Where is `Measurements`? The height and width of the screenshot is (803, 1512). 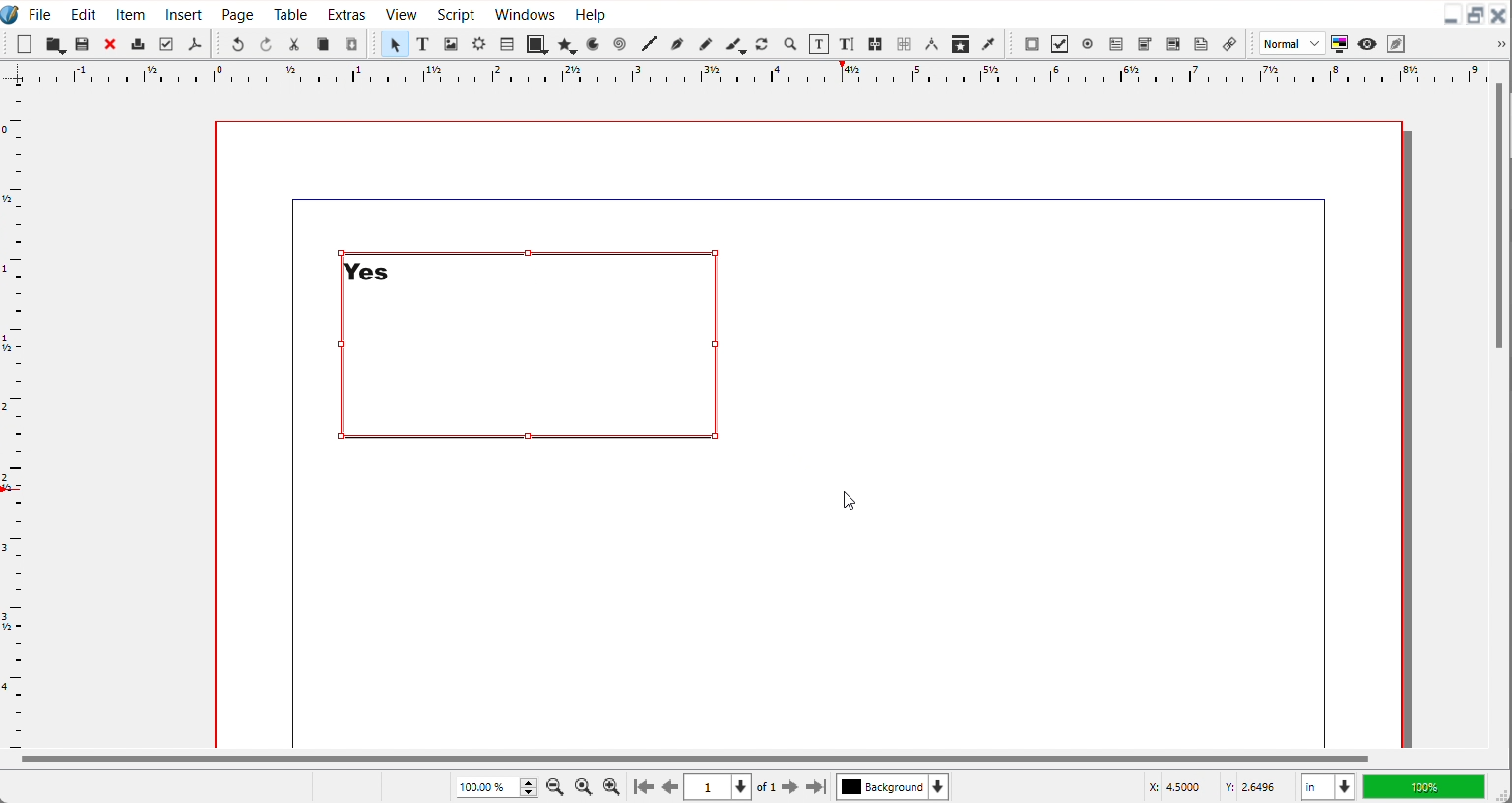
Measurements is located at coordinates (931, 44).